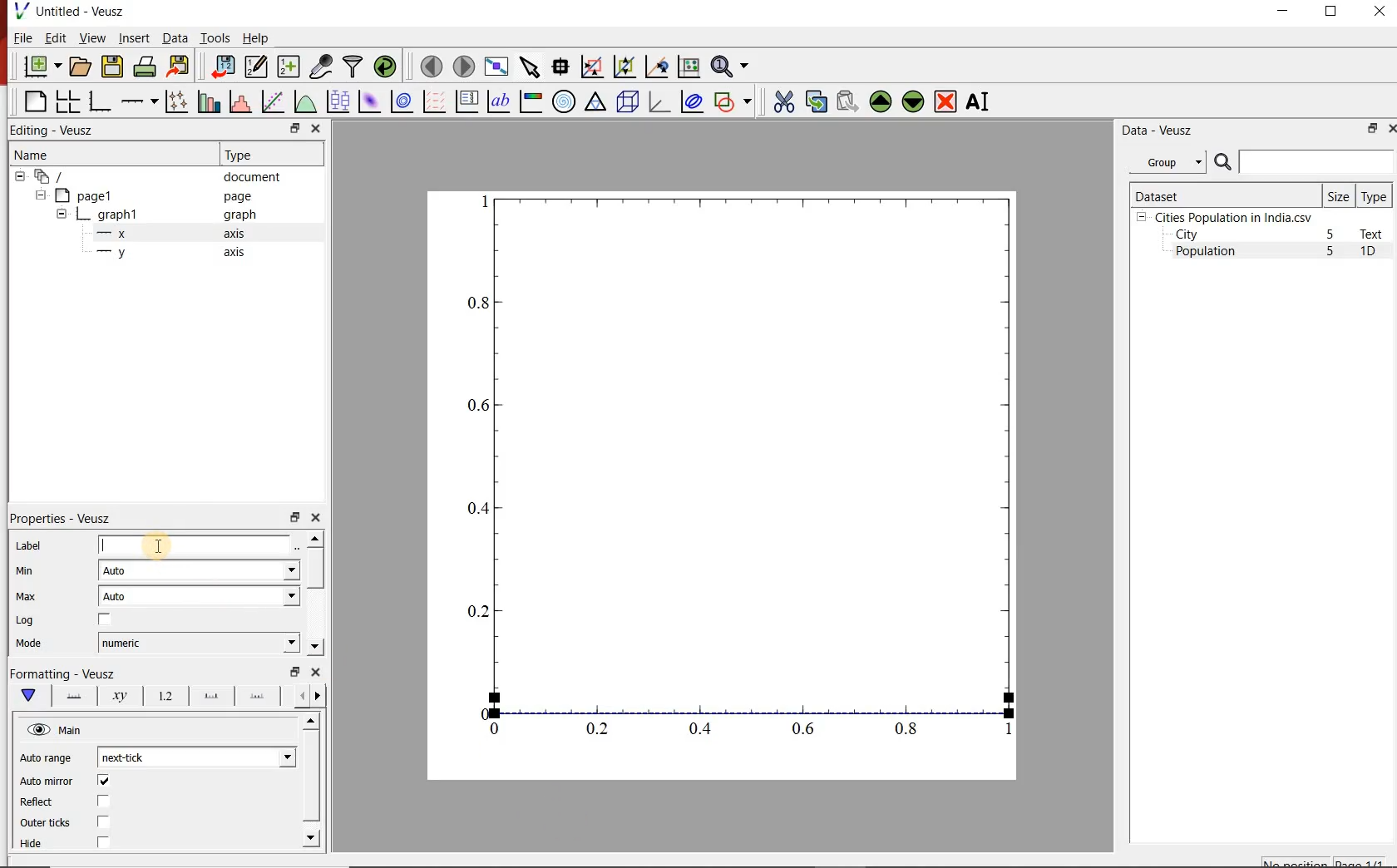 The height and width of the screenshot is (868, 1397). I want to click on Min, so click(25, 571).